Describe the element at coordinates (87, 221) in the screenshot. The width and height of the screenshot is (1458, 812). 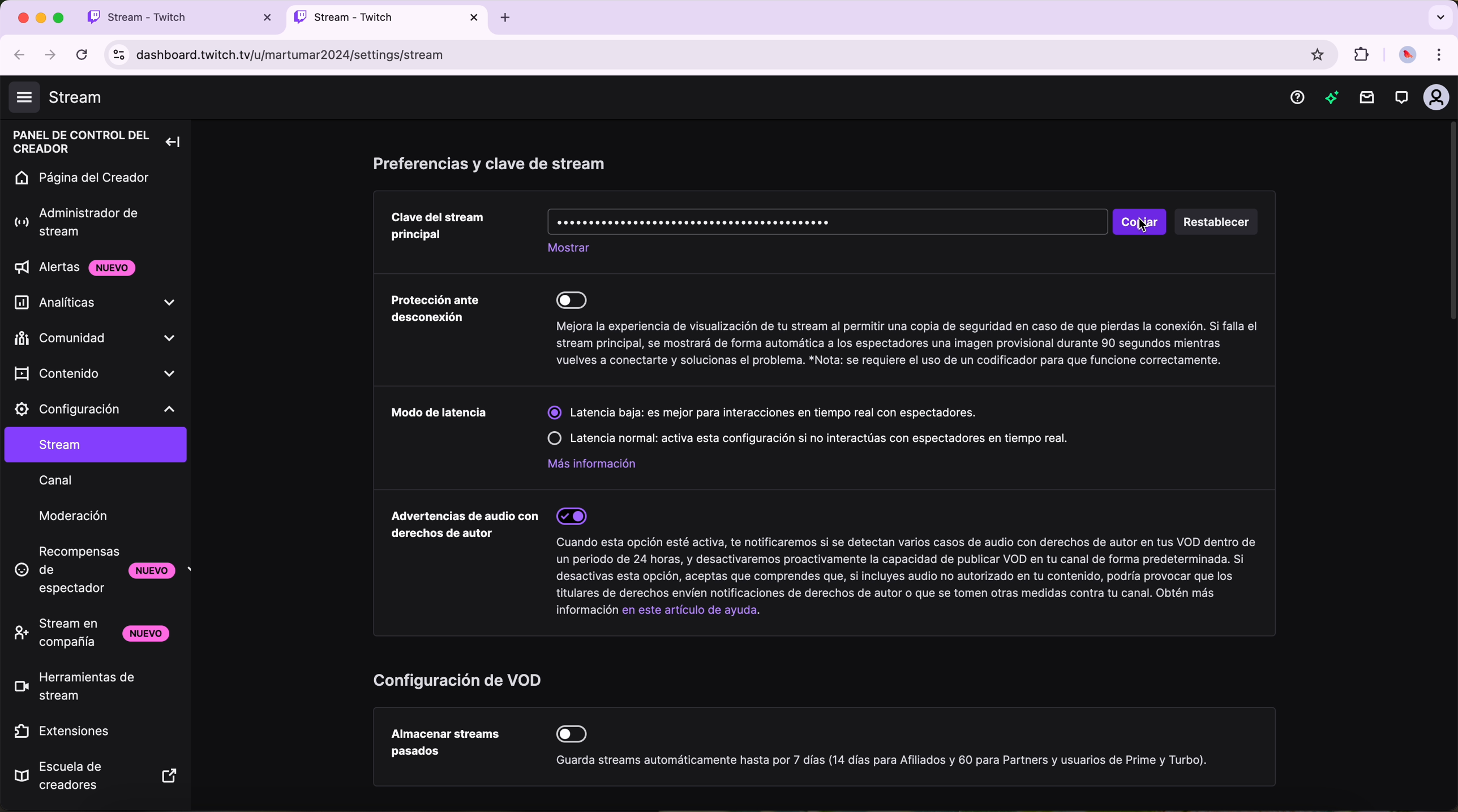
I see `stream manager` at that location.